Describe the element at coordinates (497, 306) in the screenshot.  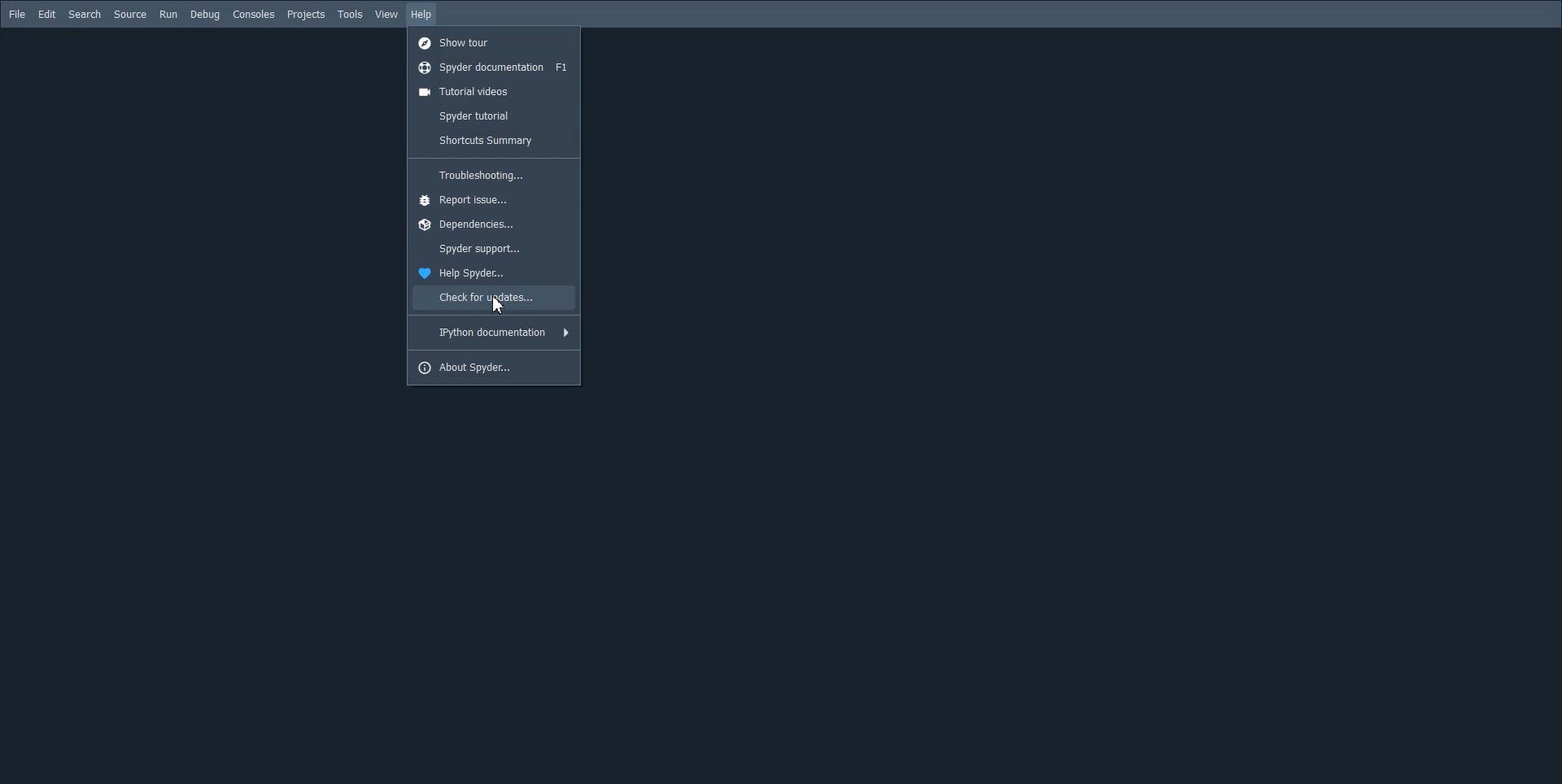
I see `Cursor` at that location.